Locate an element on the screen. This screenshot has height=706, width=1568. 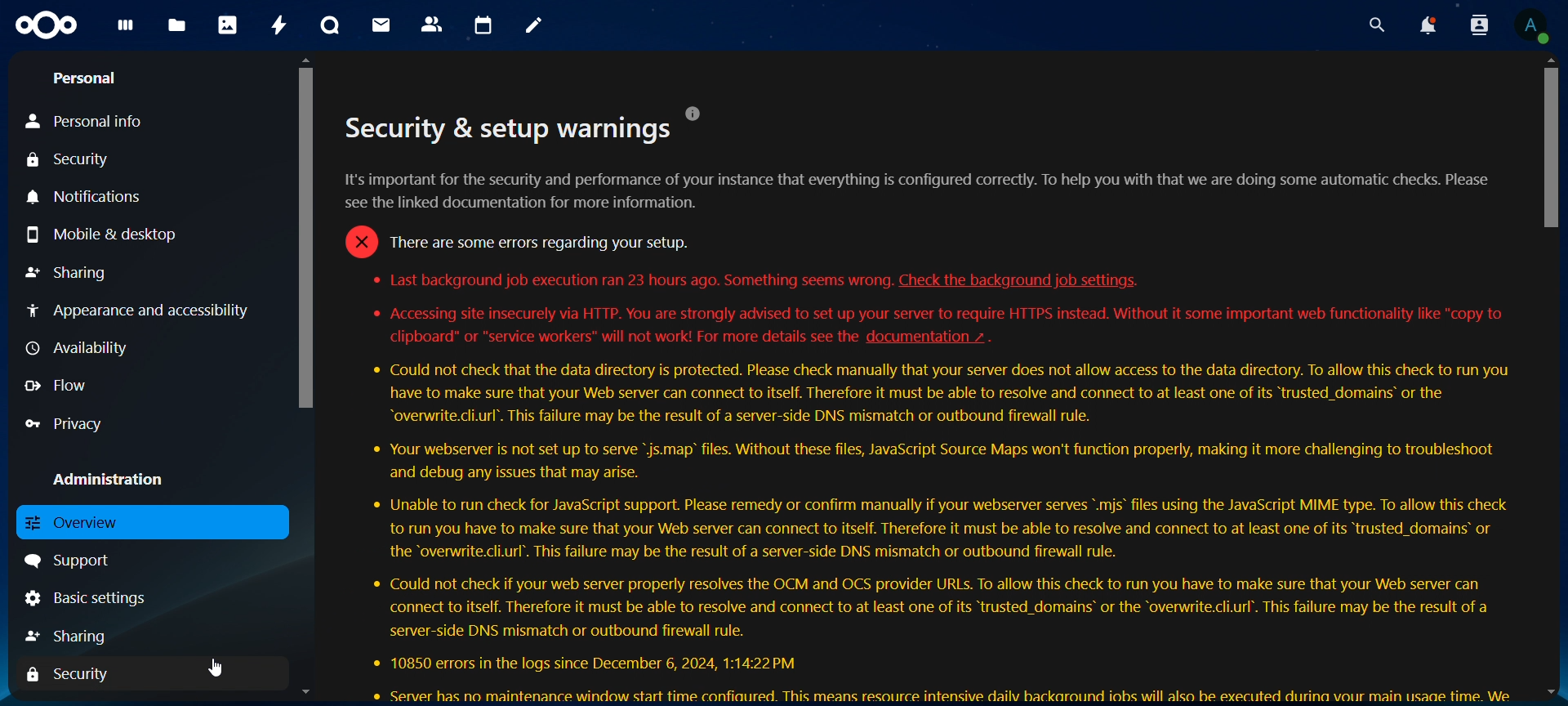
basic settings is located at coordinates (98, 599).